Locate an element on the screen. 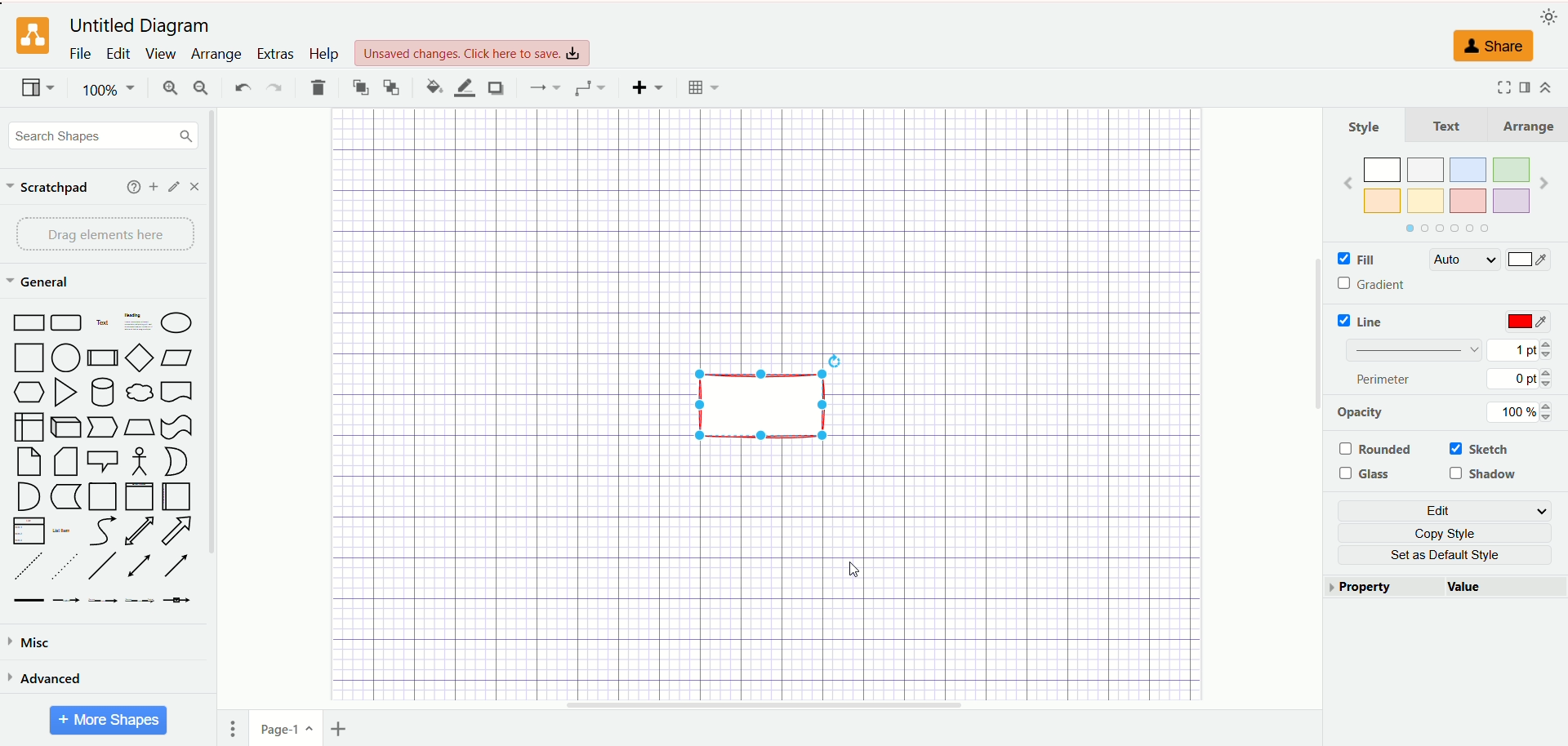 This screenshot has width=1568, height=746. insert page is located at coordinates (346, 728).